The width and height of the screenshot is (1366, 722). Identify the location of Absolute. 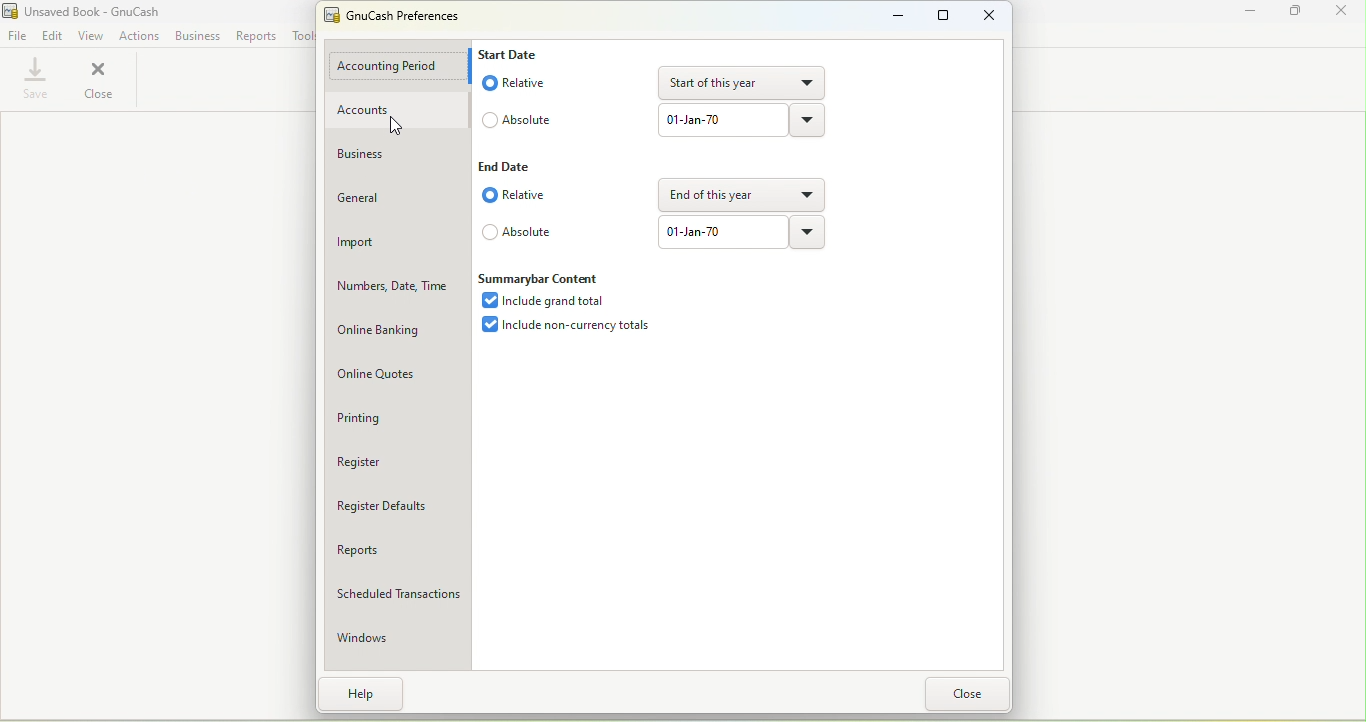
(516, 232).